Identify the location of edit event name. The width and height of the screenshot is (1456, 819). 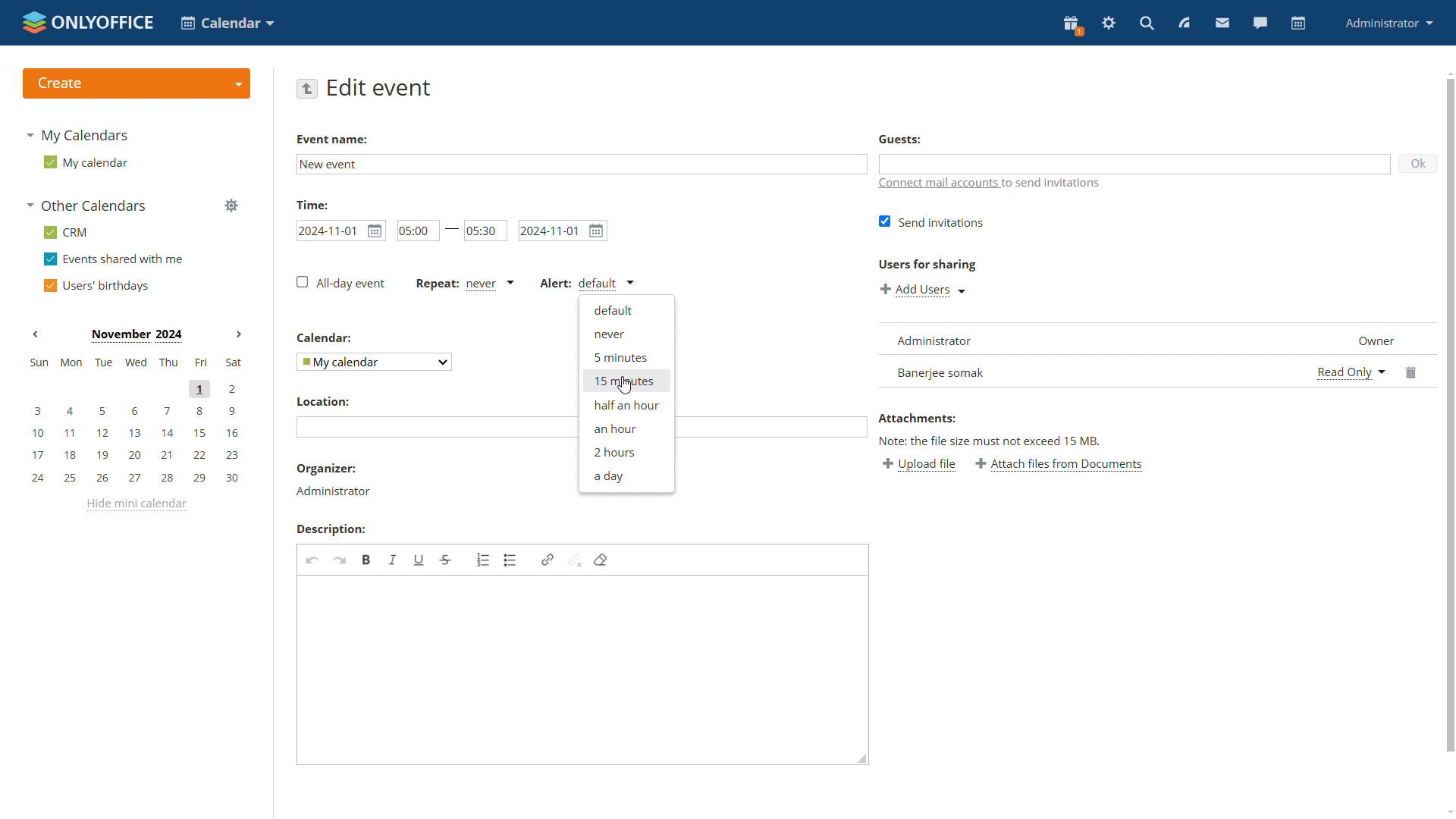
(582, 165).